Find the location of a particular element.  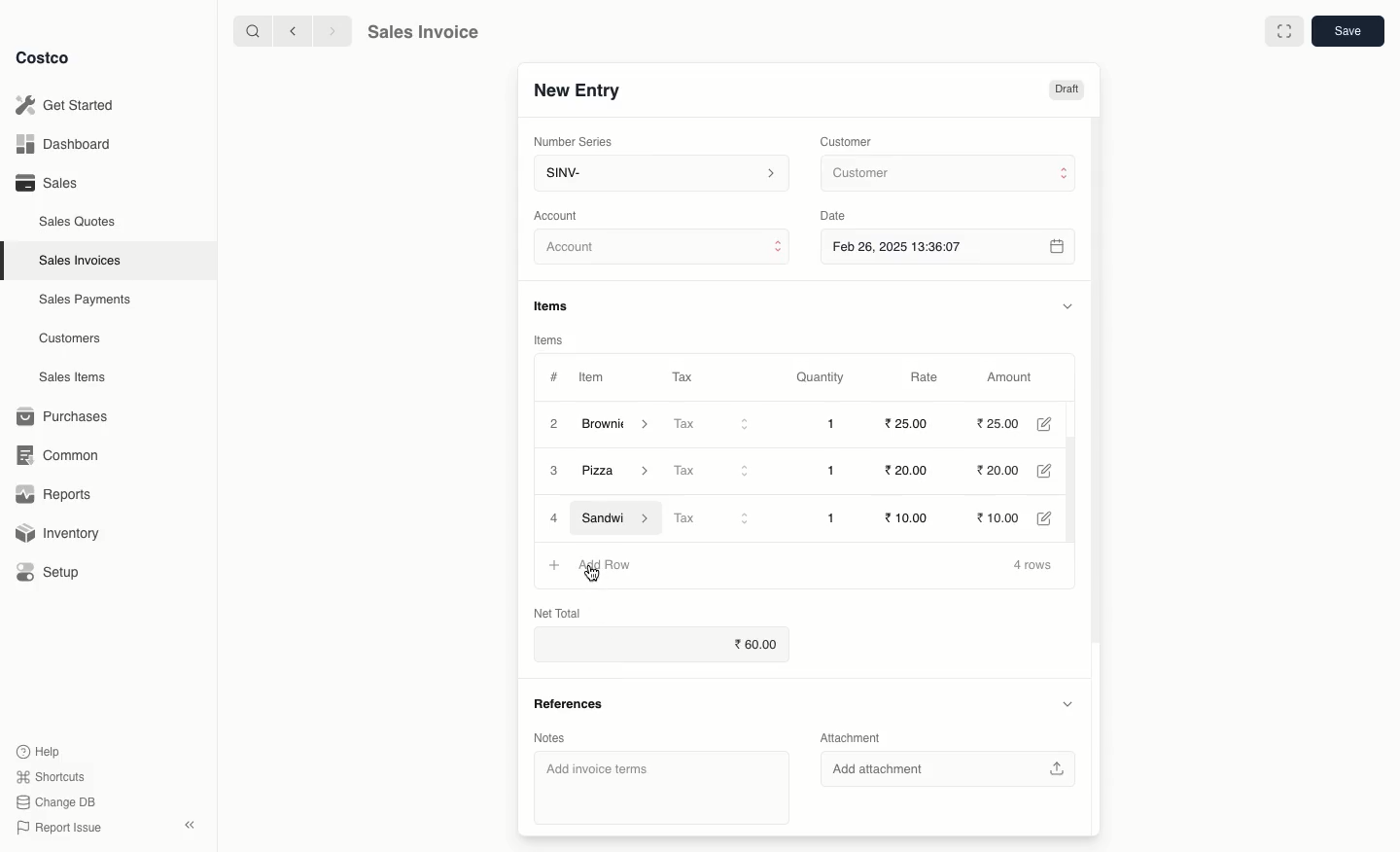

Inventory is located at coordinates (61, 531).